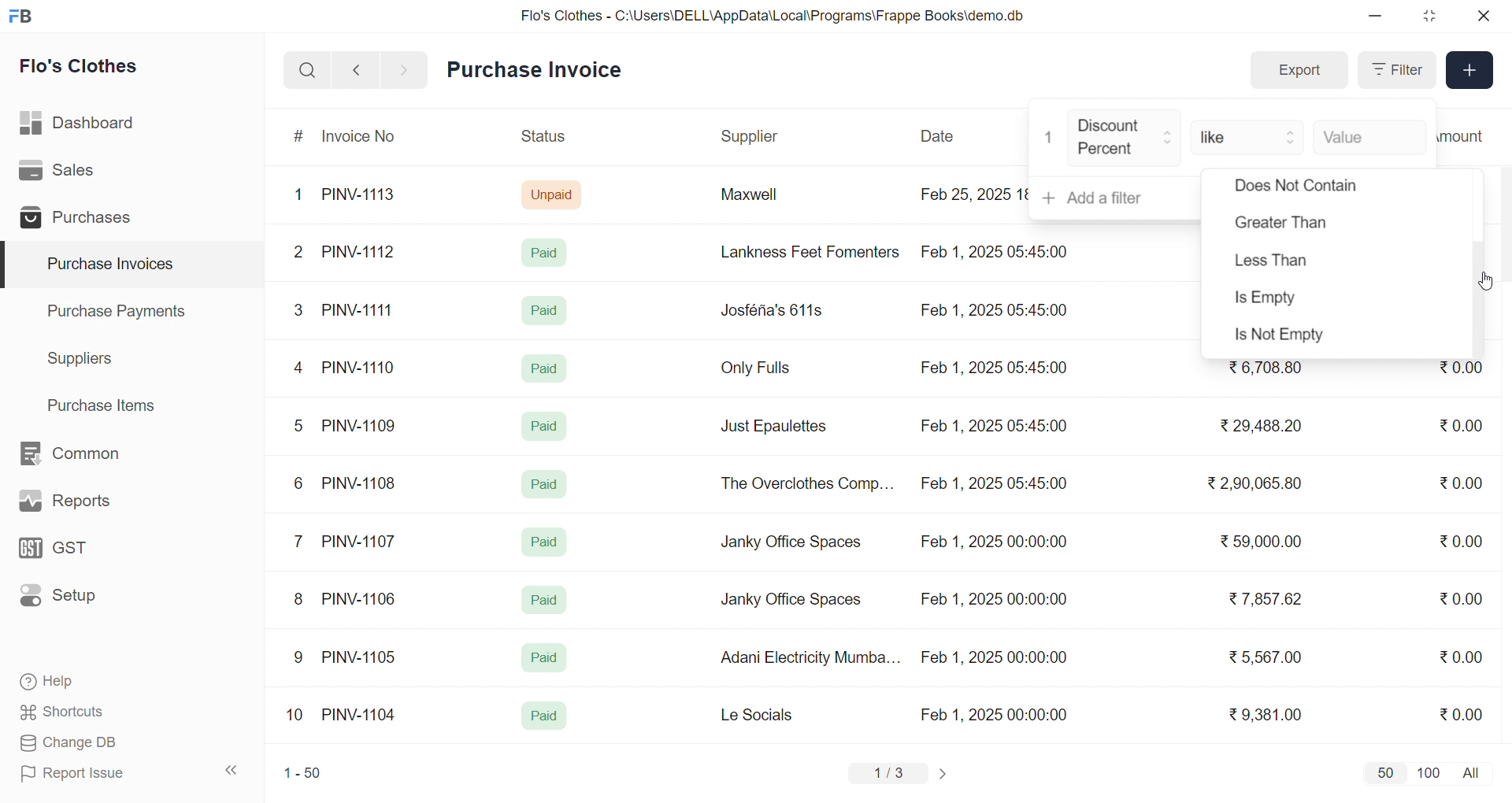 The height and width of the screenshot is (803, 1512). I want to click on Is Not Empty, so click(1294, 337).